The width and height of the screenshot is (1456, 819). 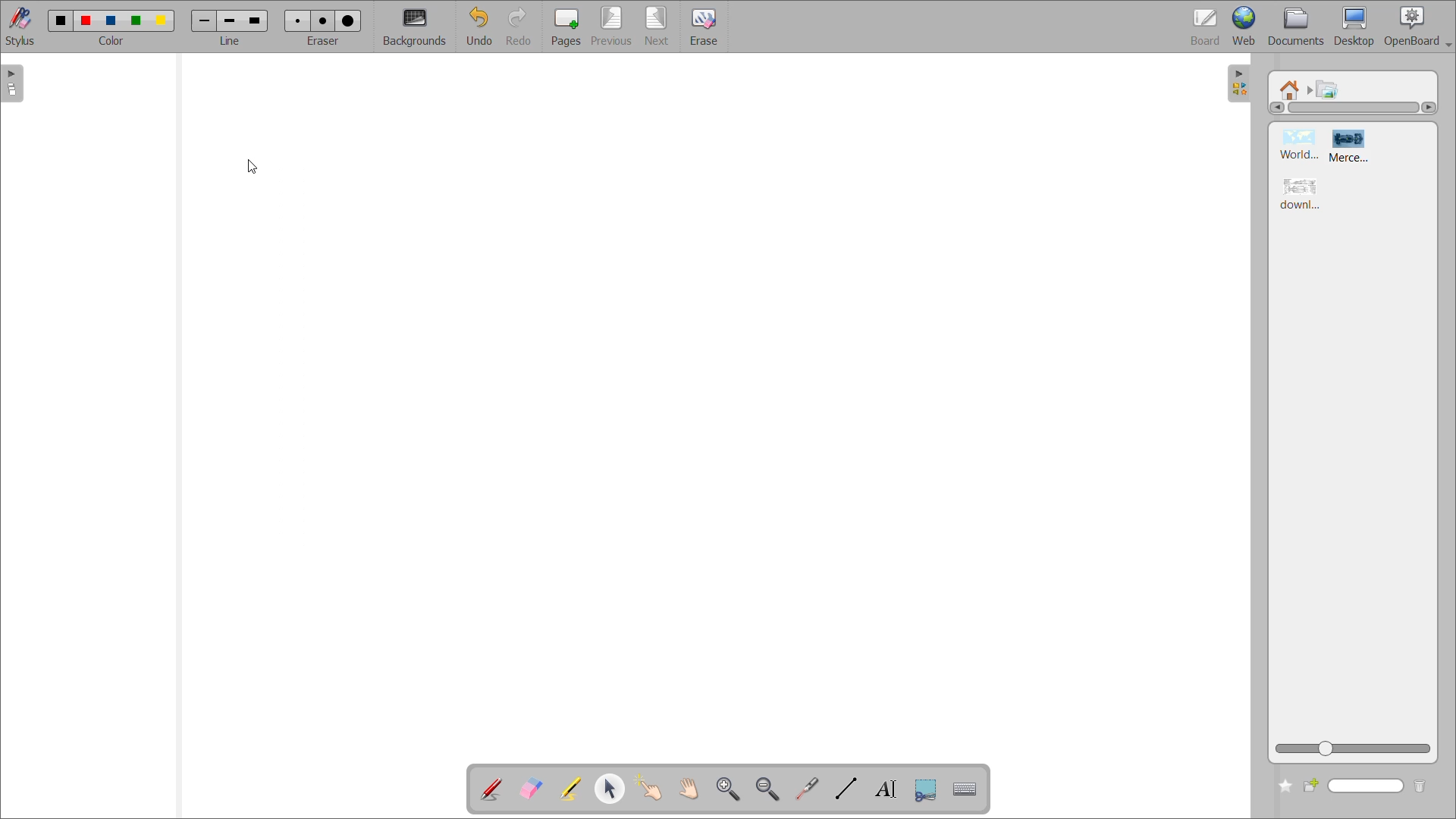 What do you see at coordinates (1354, 107) in the screenshot?
I see `horizontal scroll bar` at bounding box center [1354, 107].